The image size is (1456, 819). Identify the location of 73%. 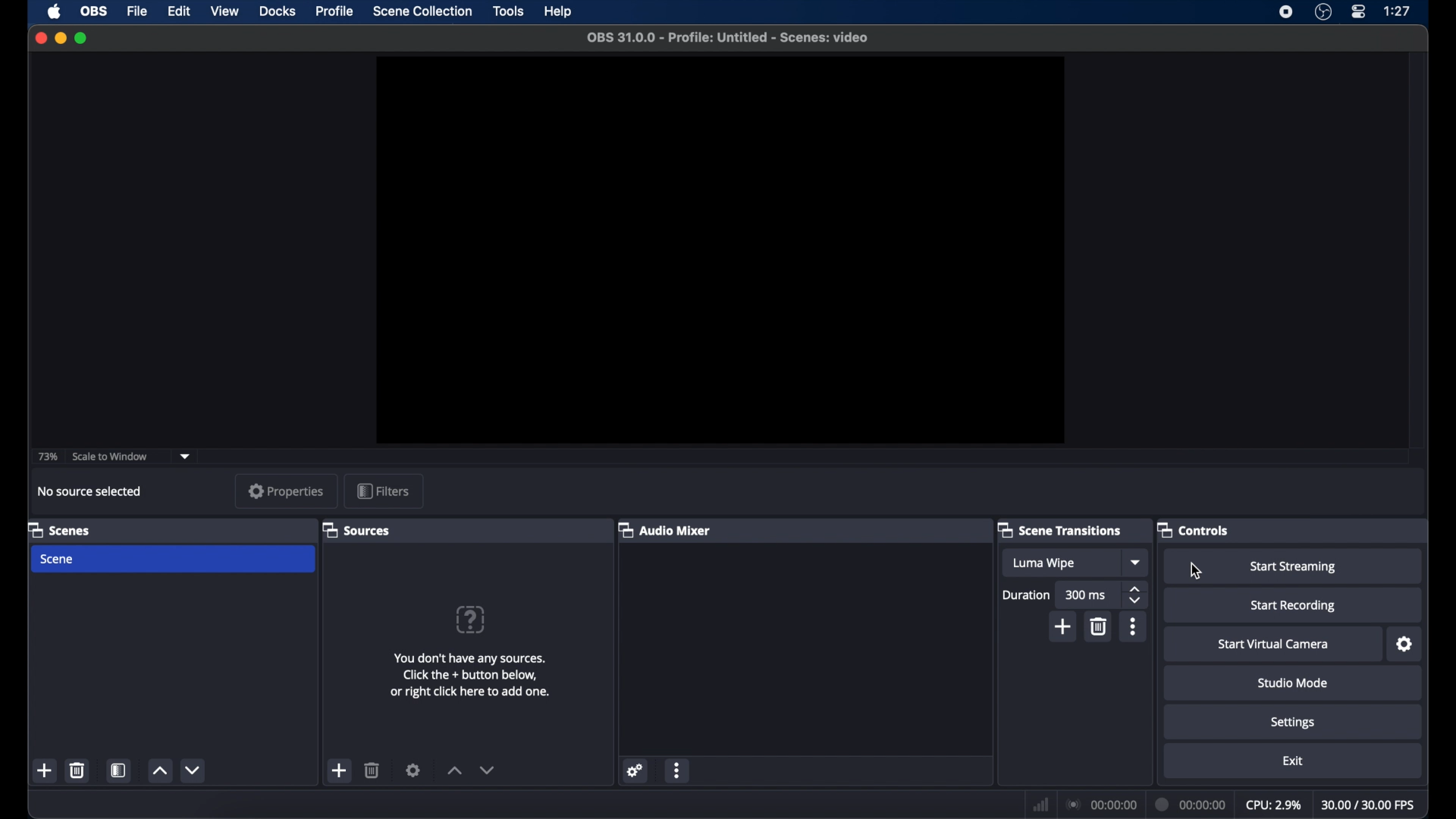
(46, 457).